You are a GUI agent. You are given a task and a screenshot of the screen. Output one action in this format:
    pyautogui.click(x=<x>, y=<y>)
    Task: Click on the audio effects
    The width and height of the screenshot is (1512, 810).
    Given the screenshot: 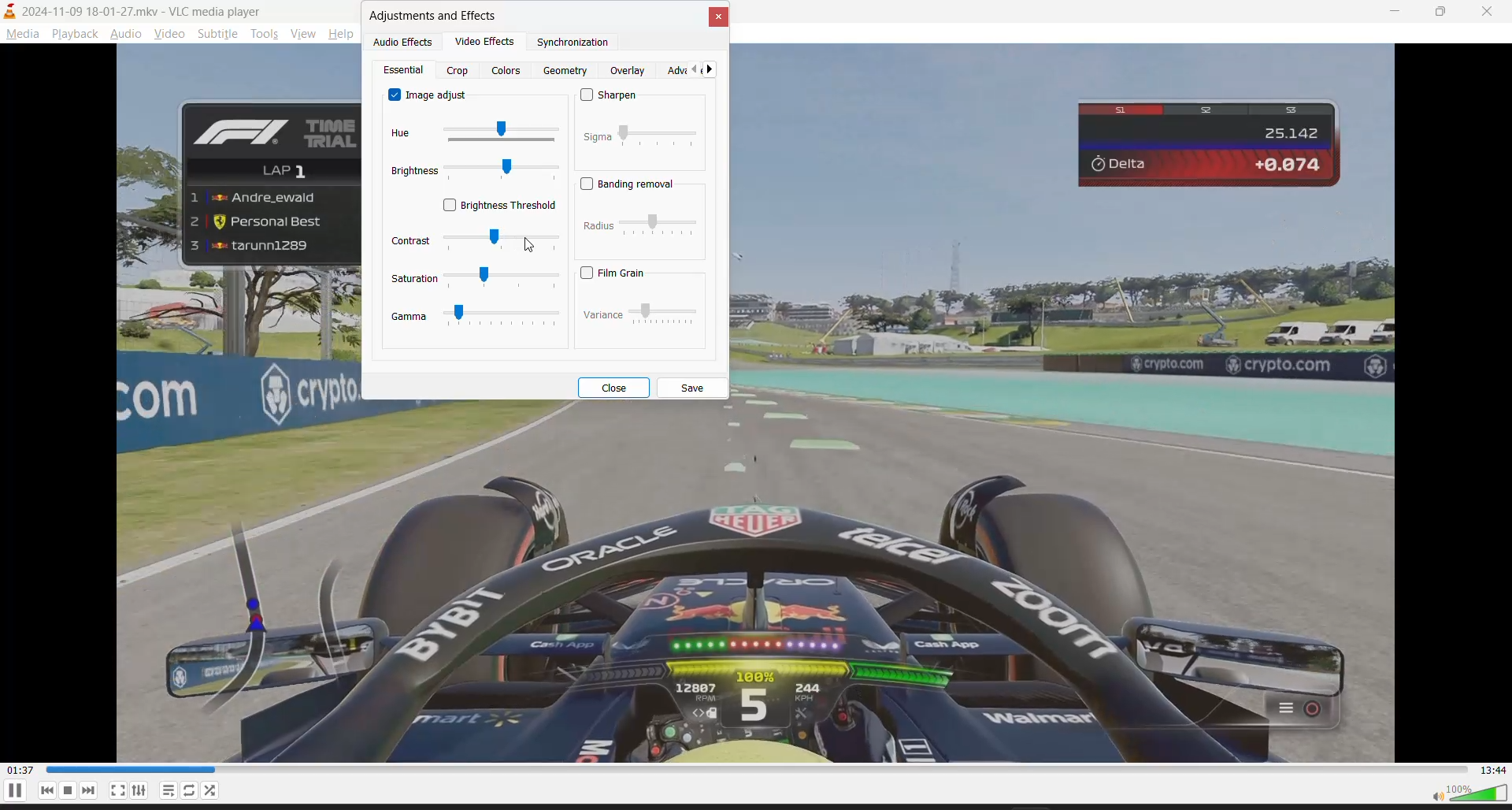 What is the action you would take?
    pyautogui.click(x=403, y=42)
    